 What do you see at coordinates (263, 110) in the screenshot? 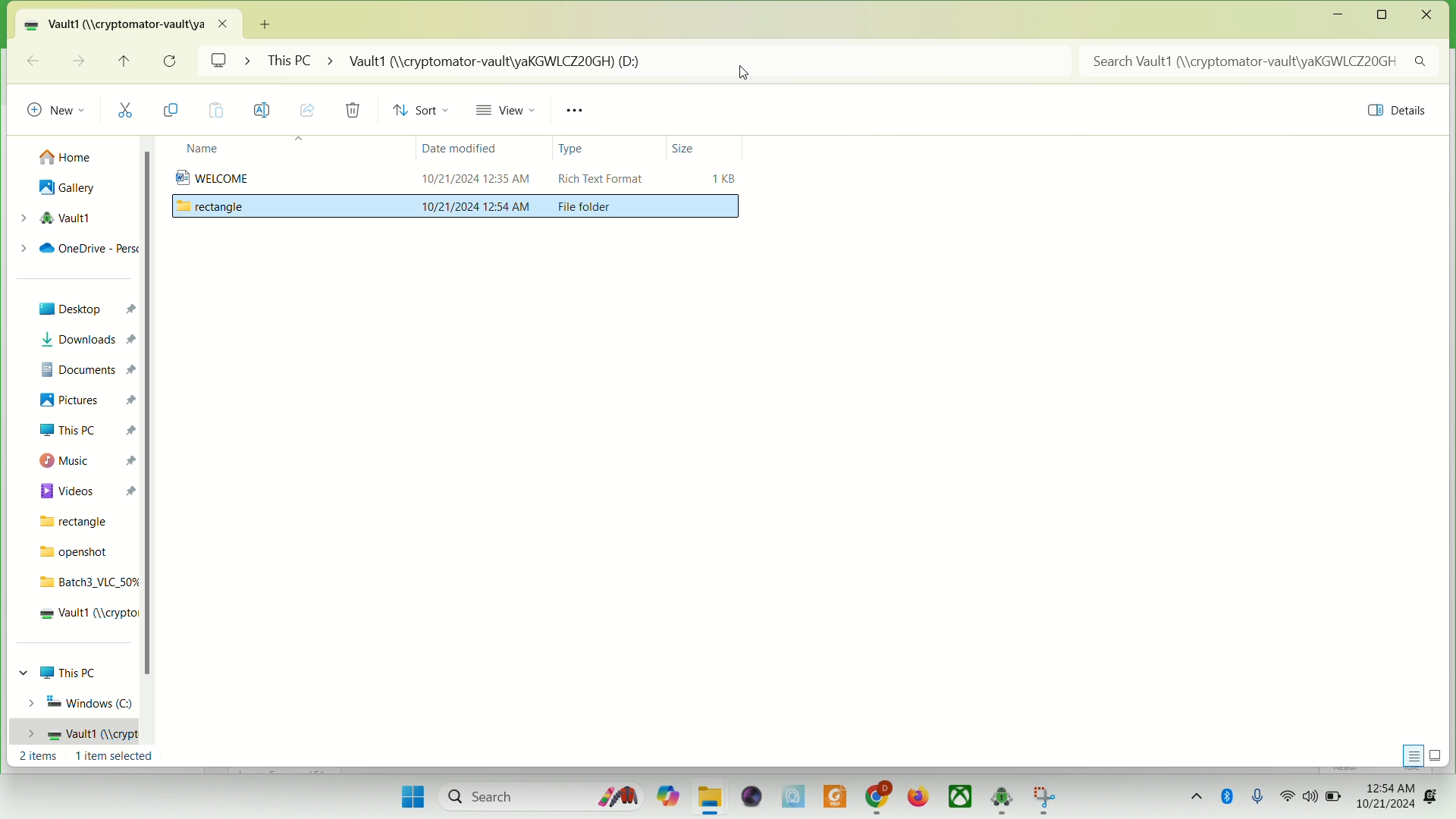
I see `rename` at bounding box center [263, 110].